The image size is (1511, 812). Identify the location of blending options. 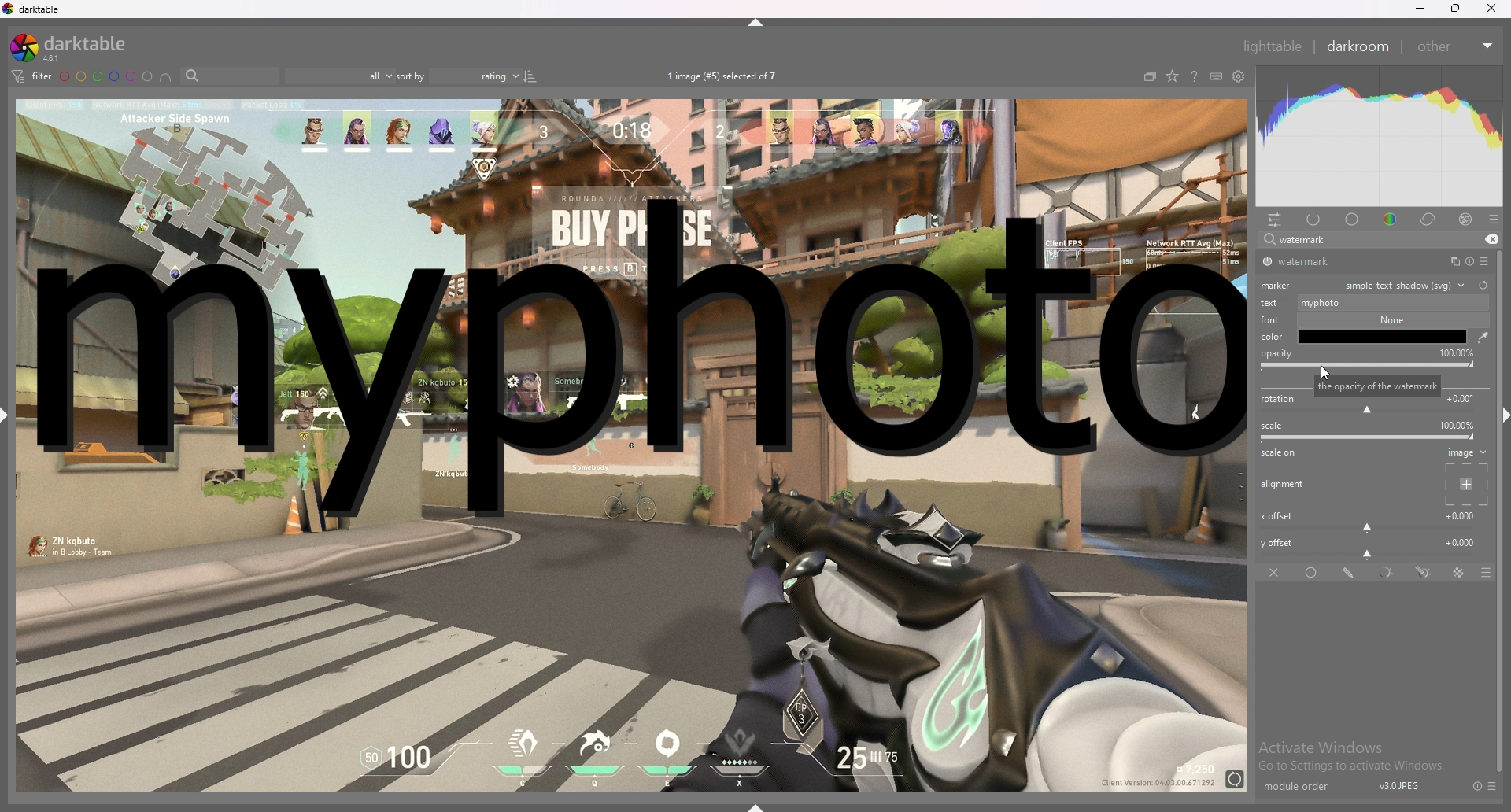
(1478, 573).